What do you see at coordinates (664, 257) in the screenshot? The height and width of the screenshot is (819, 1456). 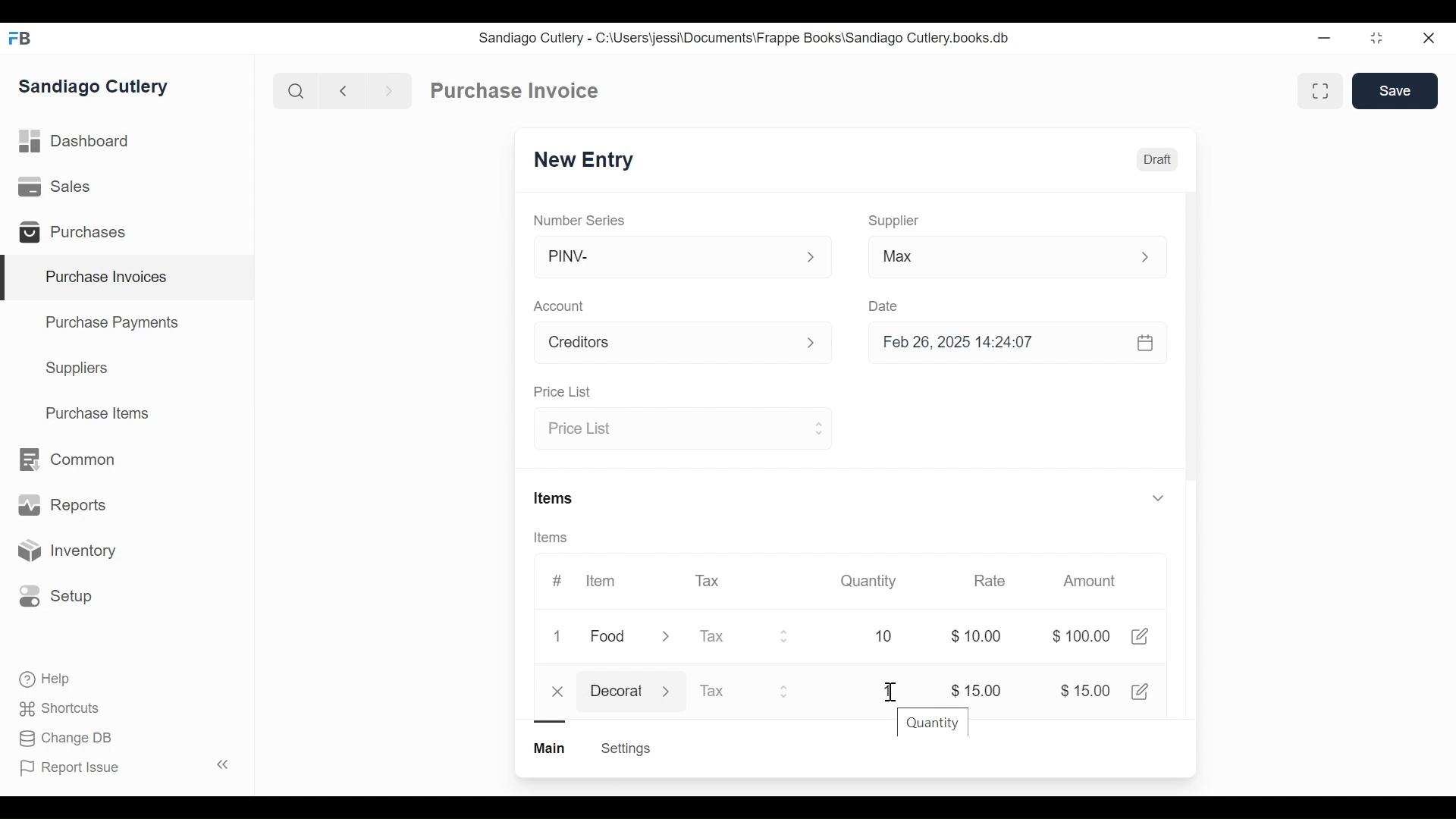 I see `PINV-` at bounding box center [664, 257].